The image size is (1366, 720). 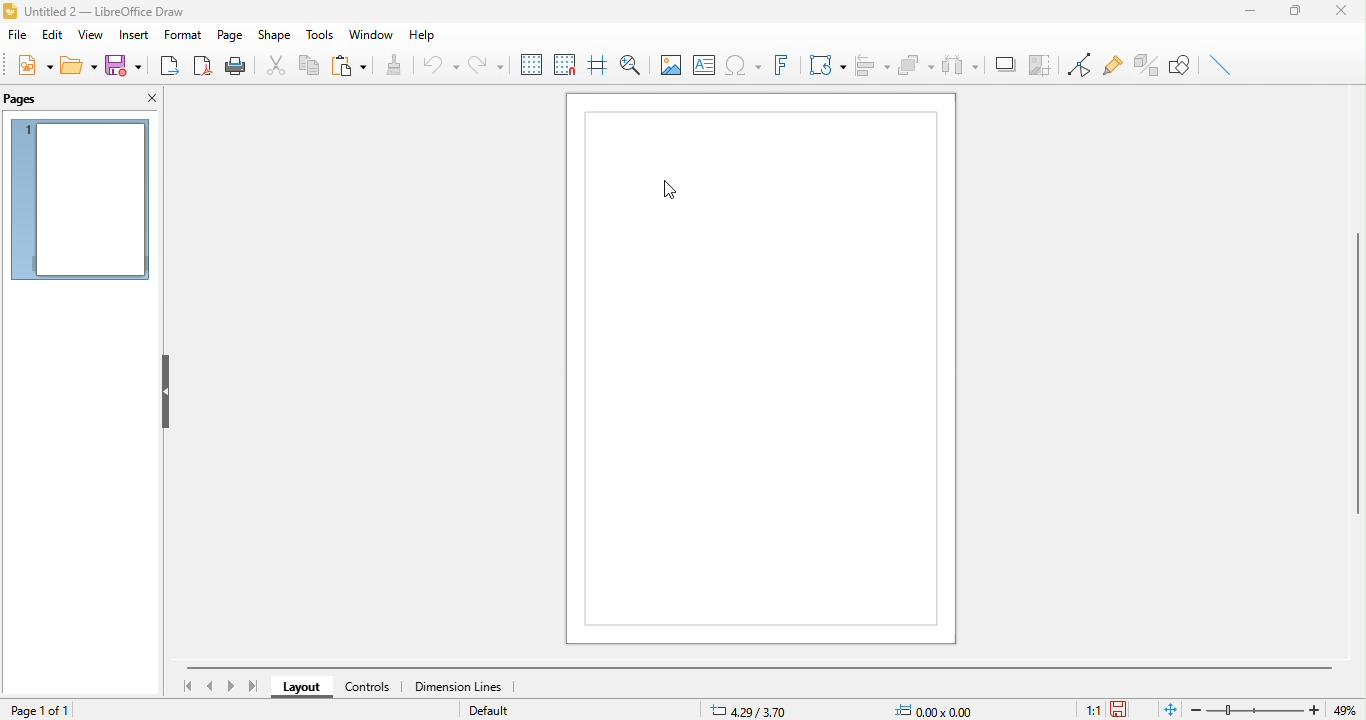 What do you see at coordinates (1247, 12) in the screenshot?
I see `minimize` at bounding box center [1247, 12].